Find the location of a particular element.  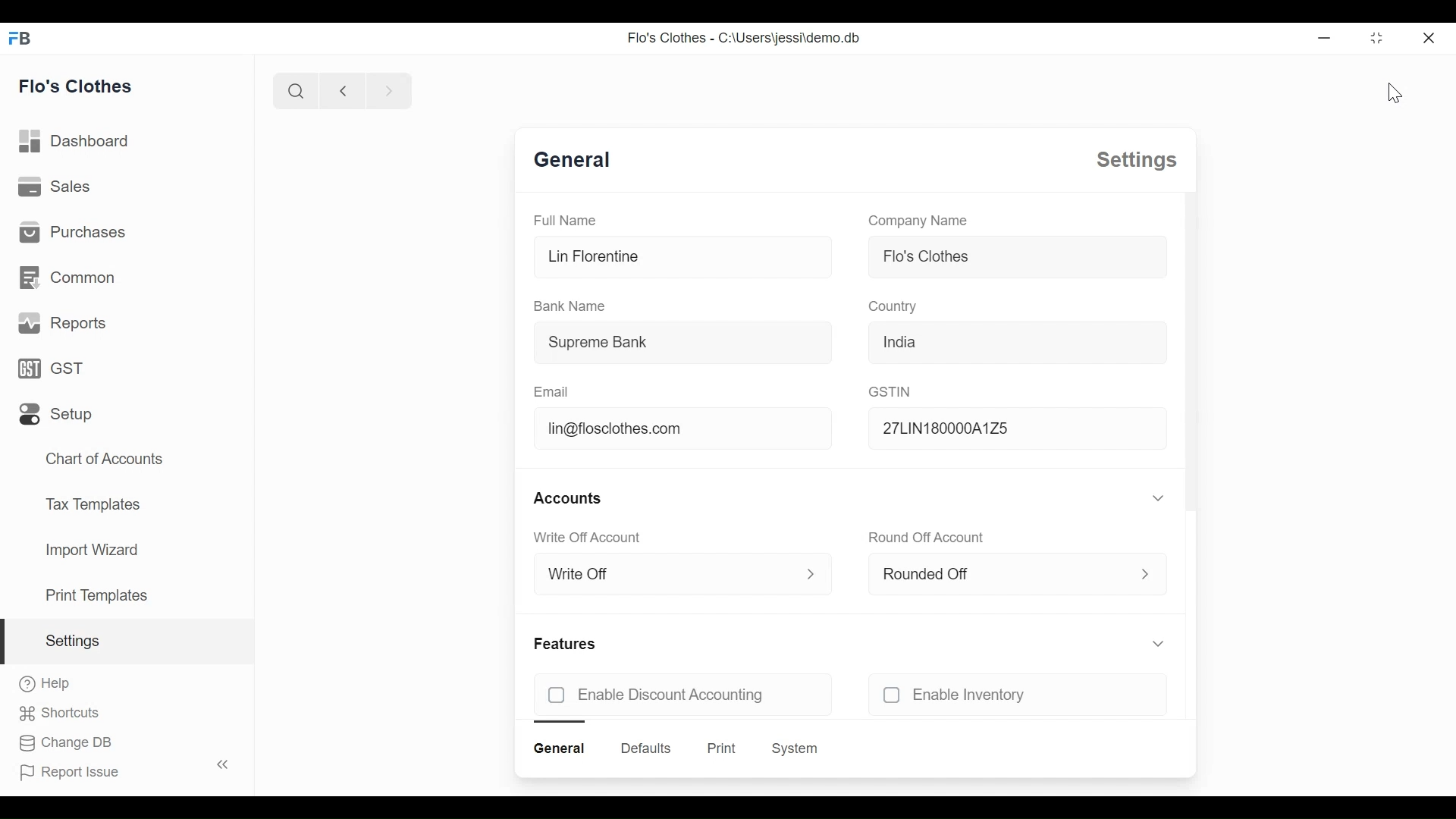

import wizard is located at coordinates (91, 550).